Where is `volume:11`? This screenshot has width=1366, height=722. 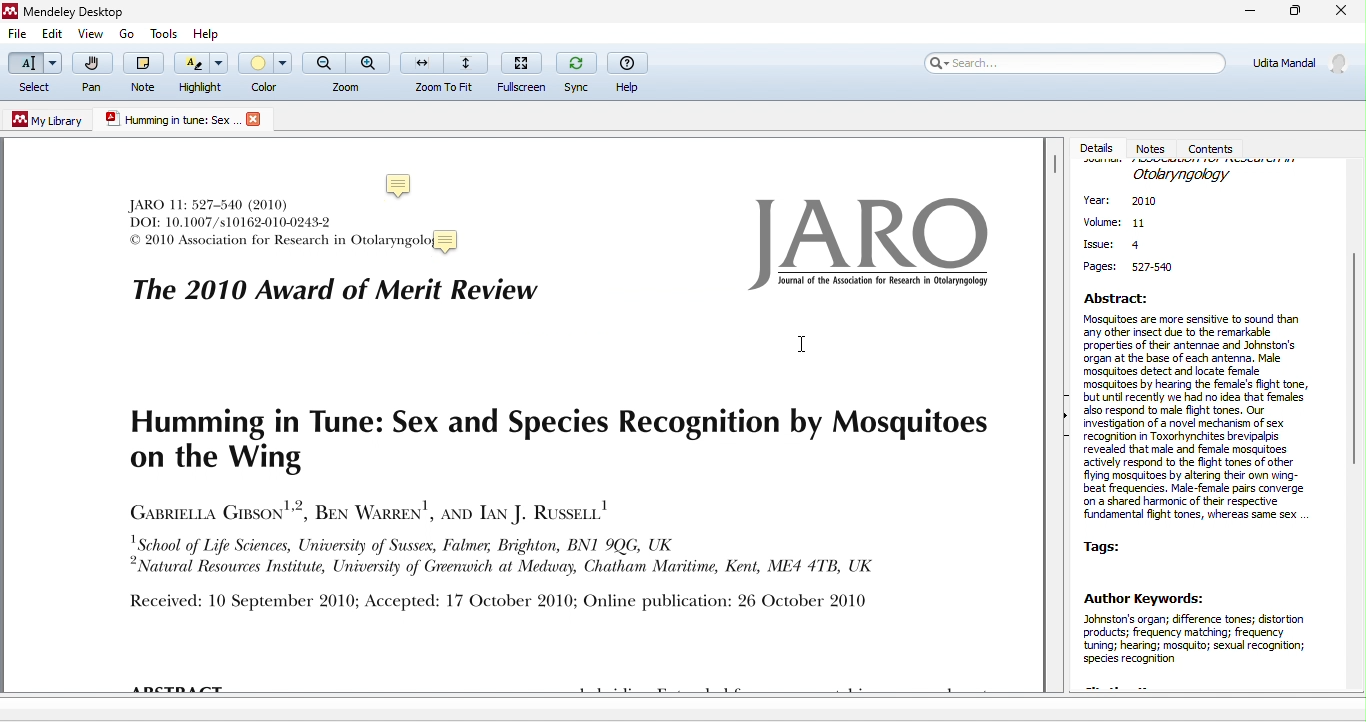
volume:11 is located at coordinates (1115, 224).